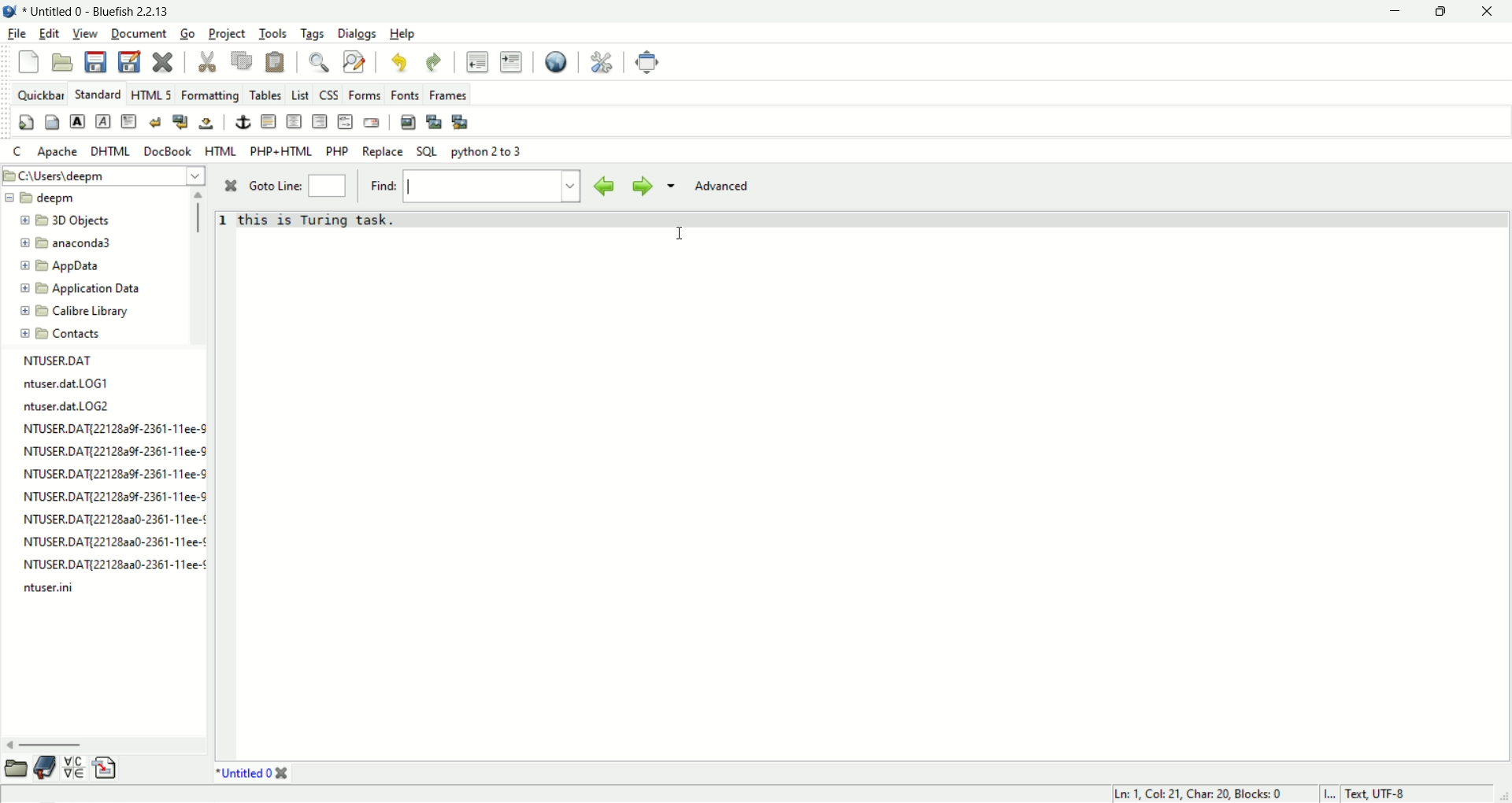 The image size is (1512, 803). What do you see at coordinates (155, 122) in the screenshot?
I see `break` at bounding box center [155, 122].